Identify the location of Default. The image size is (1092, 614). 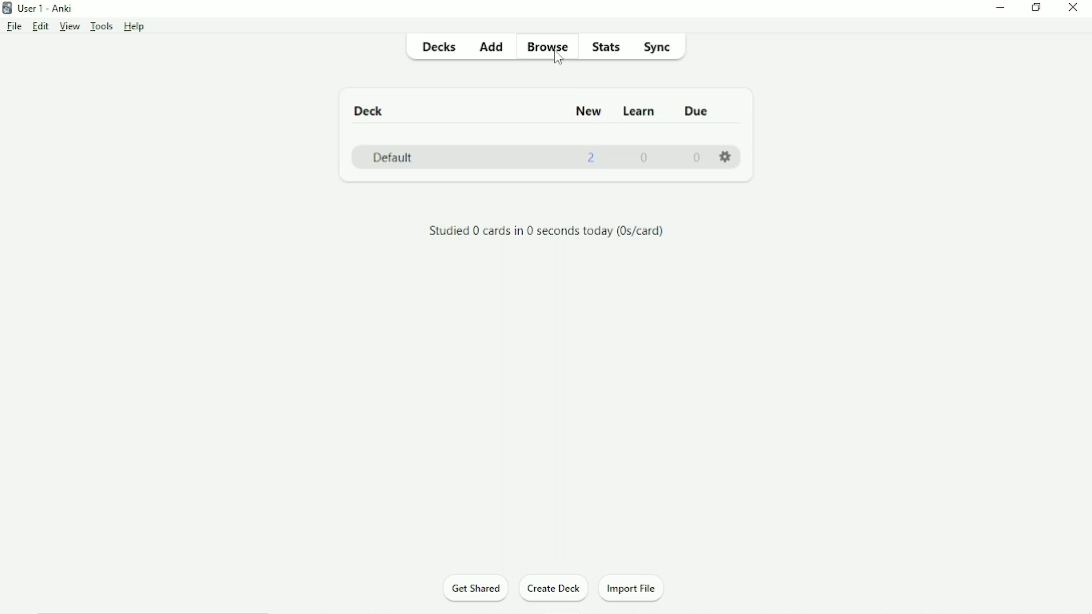
(392, 157).